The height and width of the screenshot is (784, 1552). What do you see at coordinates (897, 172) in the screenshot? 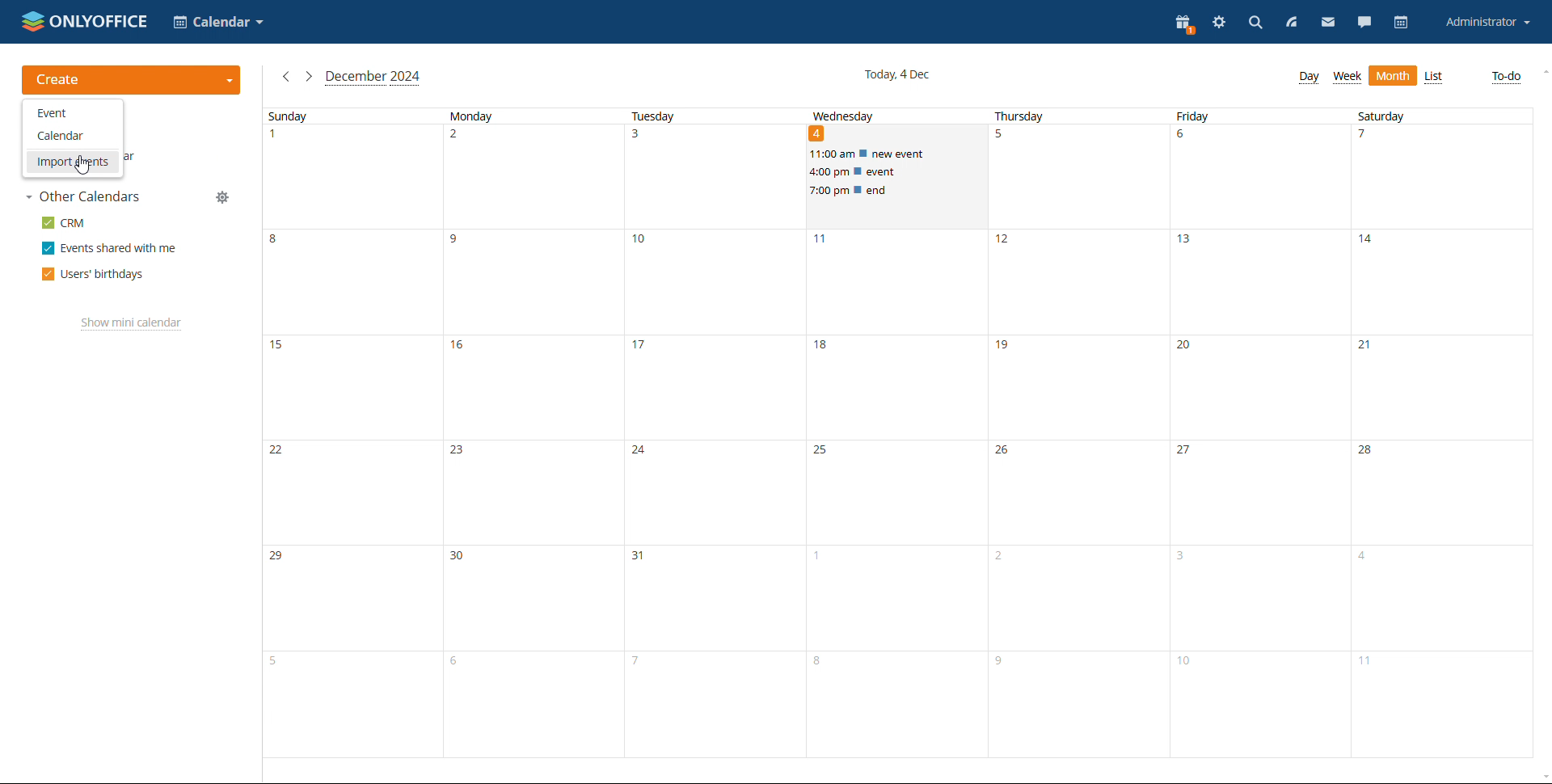
I see `scheduled events` at bounding box center [897, 172].